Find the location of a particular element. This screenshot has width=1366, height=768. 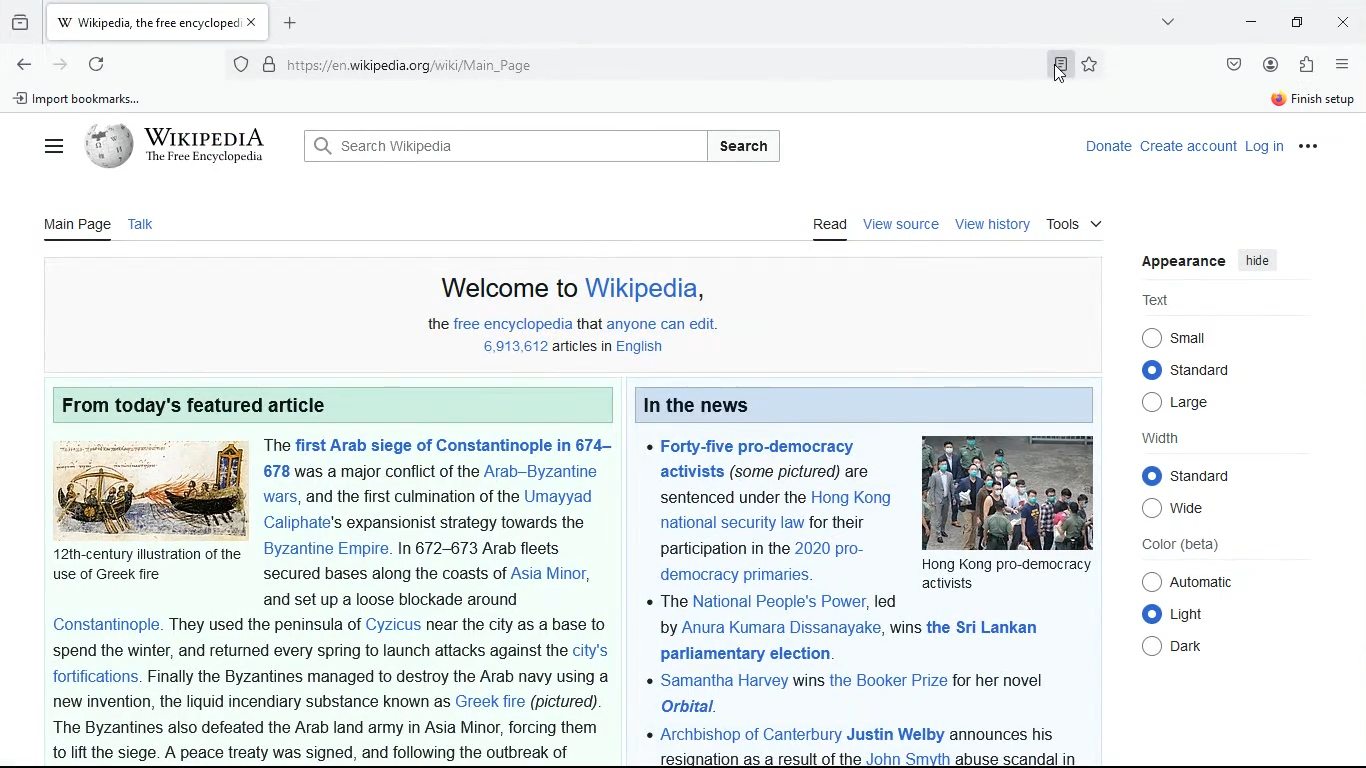

files is located at coordinates (55, 148).